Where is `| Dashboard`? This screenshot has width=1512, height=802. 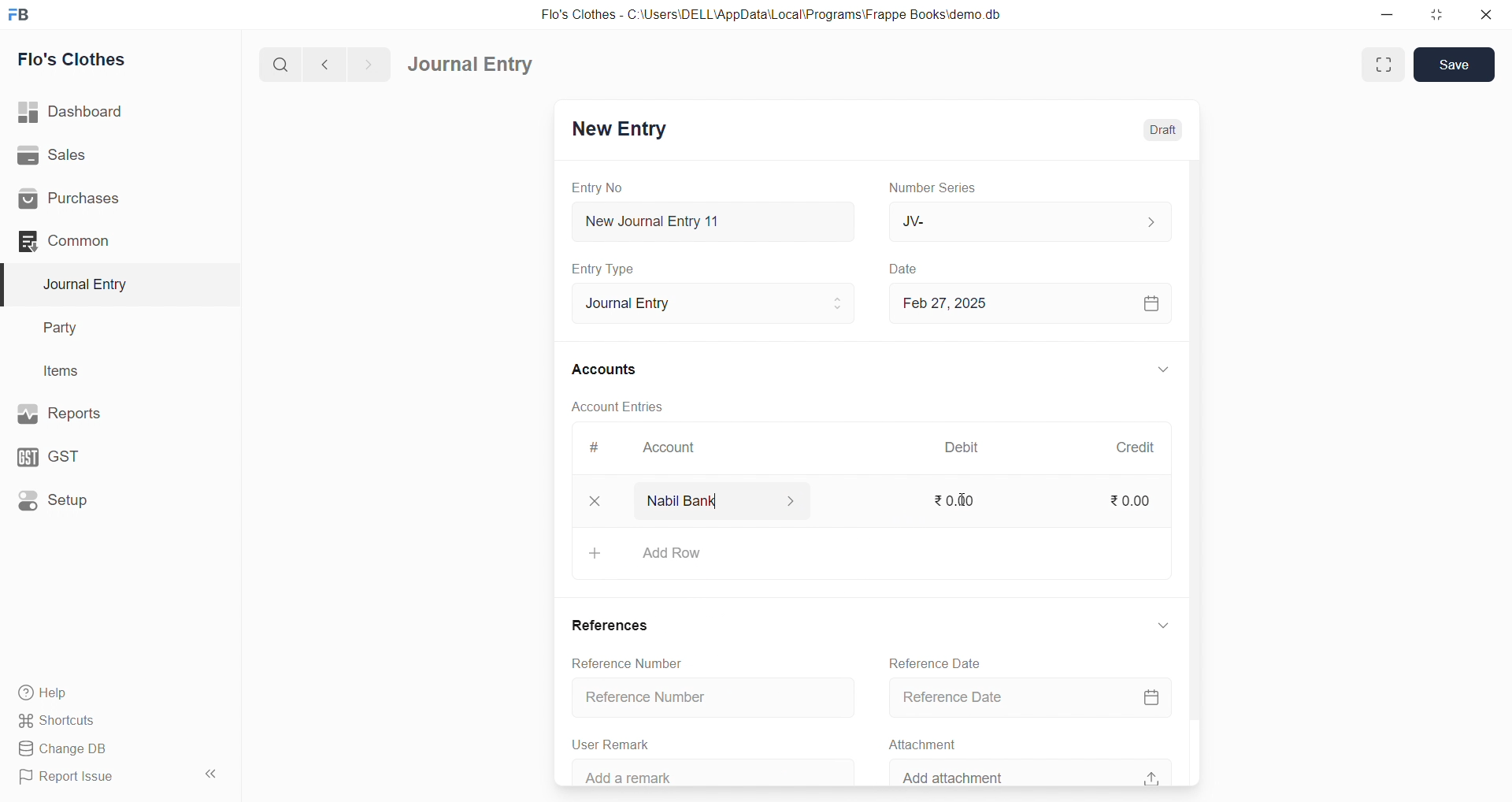 | Dashboard is located at coordinates (86, 113).